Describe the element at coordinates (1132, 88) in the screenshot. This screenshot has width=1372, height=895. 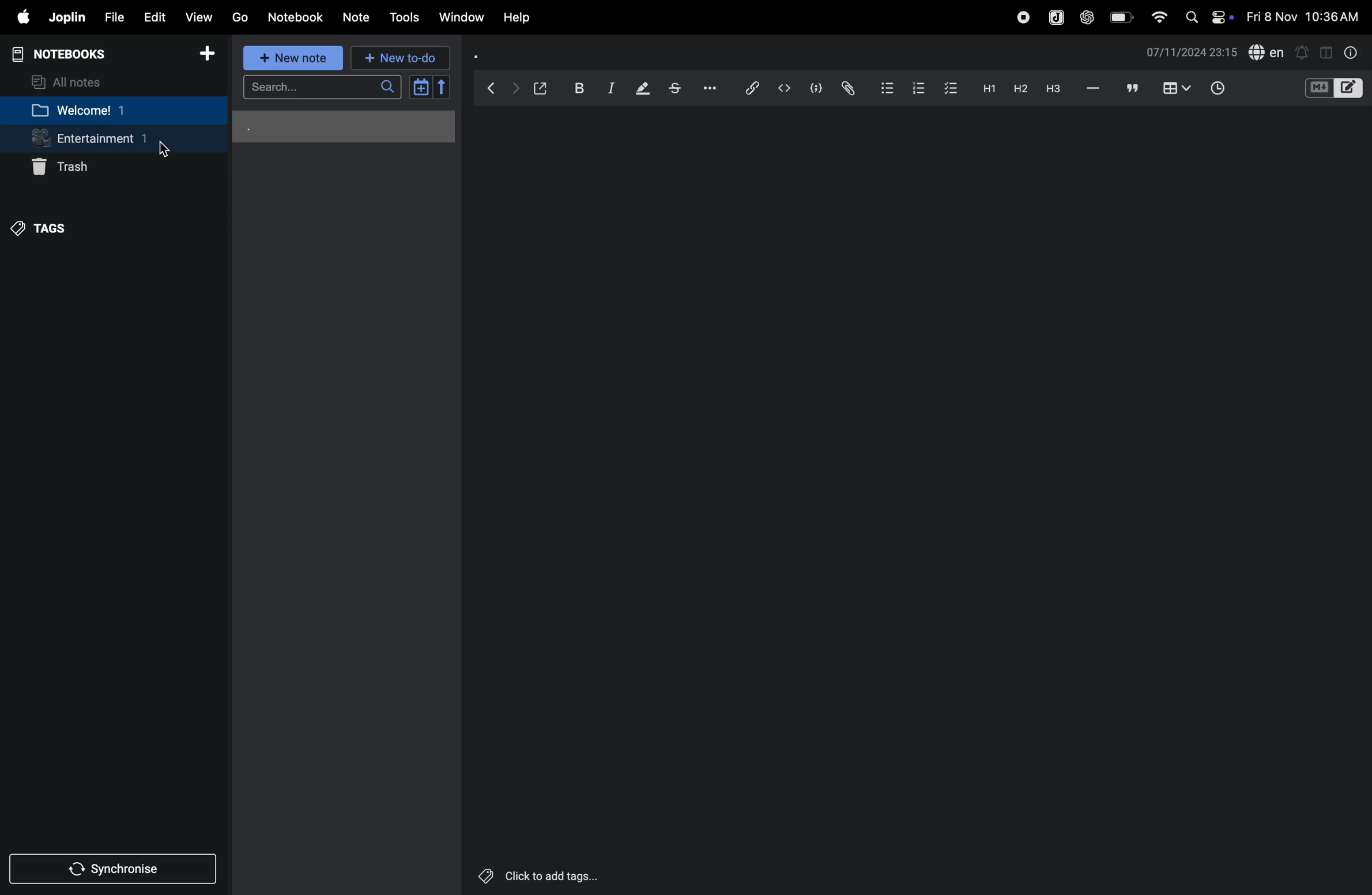
I see `block quote` at that location.